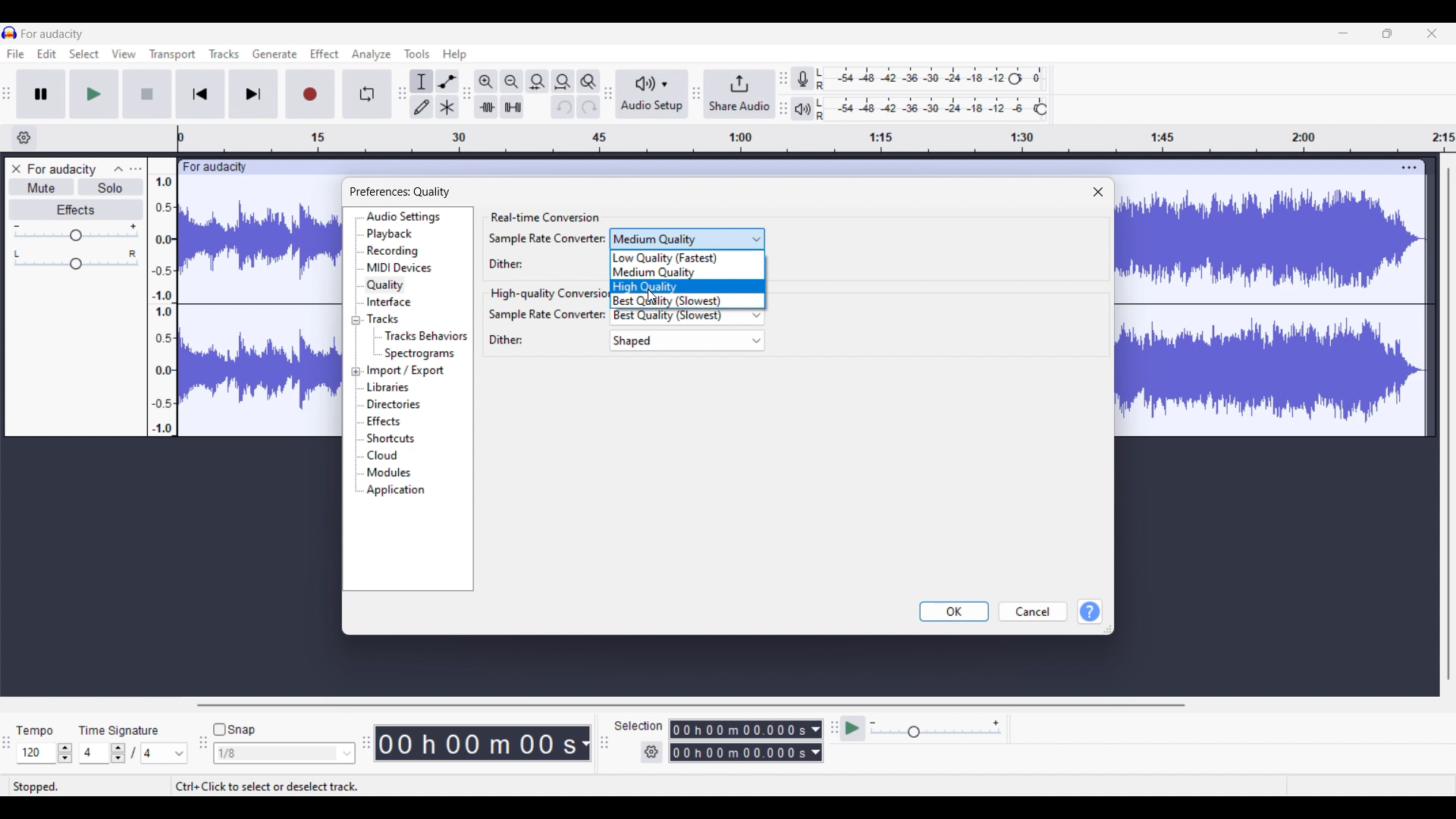 This screenshot has height=819, width=1456. Describe the element at coordinates (1034, 611) in the screenshot. I see `Cancel` at that location.